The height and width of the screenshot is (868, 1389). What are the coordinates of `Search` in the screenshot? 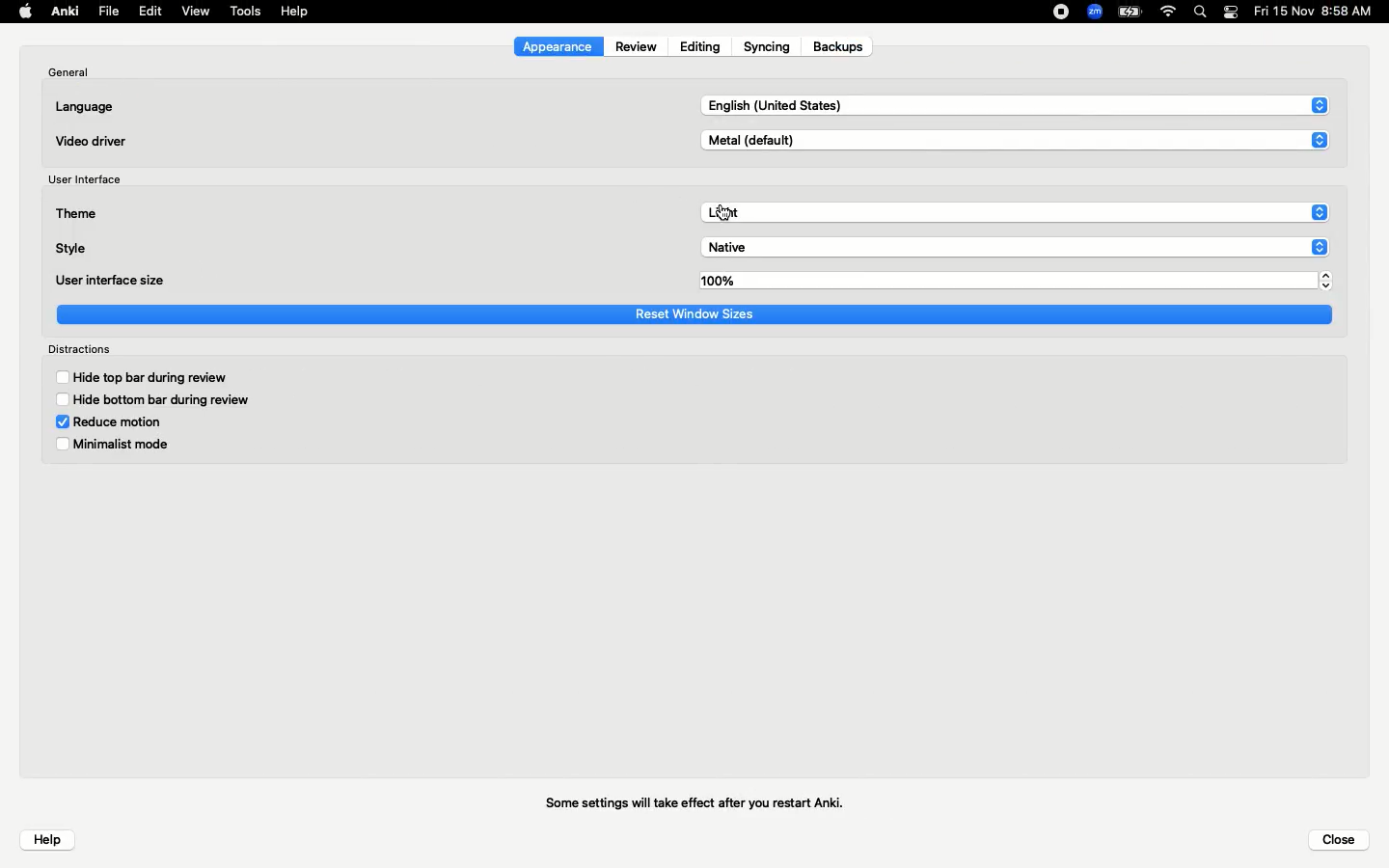 It's located at (1199, 14).